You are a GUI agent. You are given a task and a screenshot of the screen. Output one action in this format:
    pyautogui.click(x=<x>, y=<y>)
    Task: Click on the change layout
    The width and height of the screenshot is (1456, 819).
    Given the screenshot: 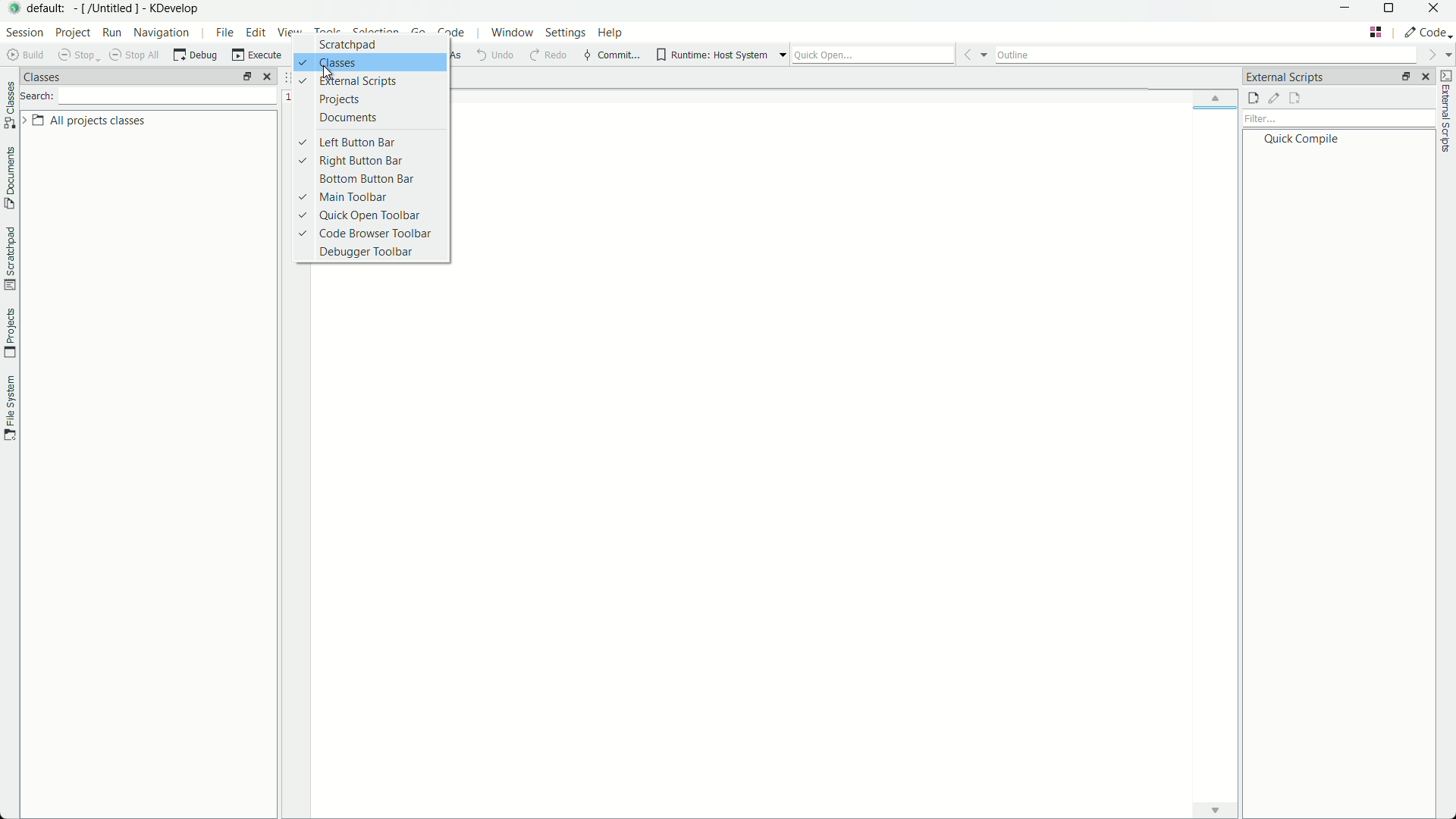 What is the action you would take?
    pyautogui.click(x=1400, y=78)
    